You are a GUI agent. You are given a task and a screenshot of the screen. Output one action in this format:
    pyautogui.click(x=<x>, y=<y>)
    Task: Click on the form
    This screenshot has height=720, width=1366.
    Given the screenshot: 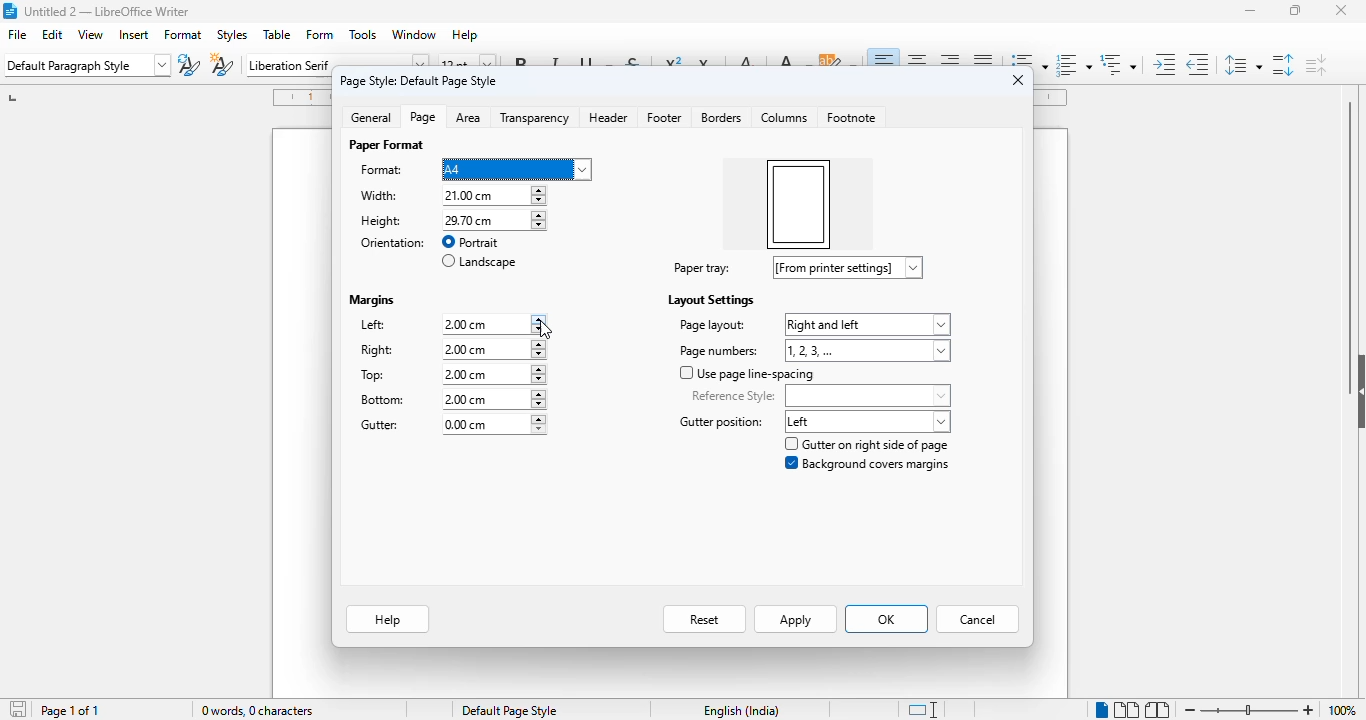 What is the action you would take?
    pyautogui.click(x=321, y=35)
    